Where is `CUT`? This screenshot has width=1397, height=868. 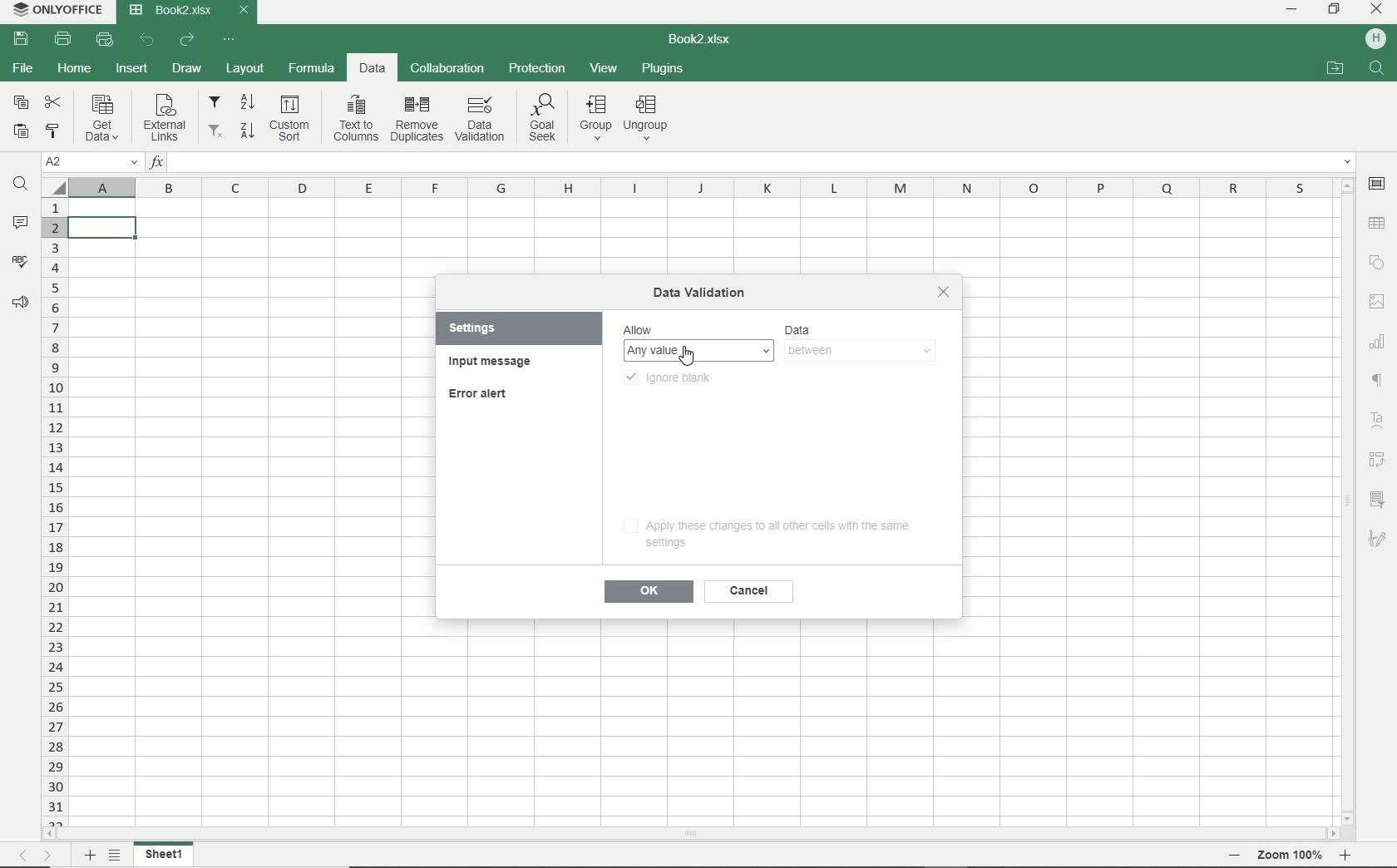
CUT is located at coordinates (53, 103).